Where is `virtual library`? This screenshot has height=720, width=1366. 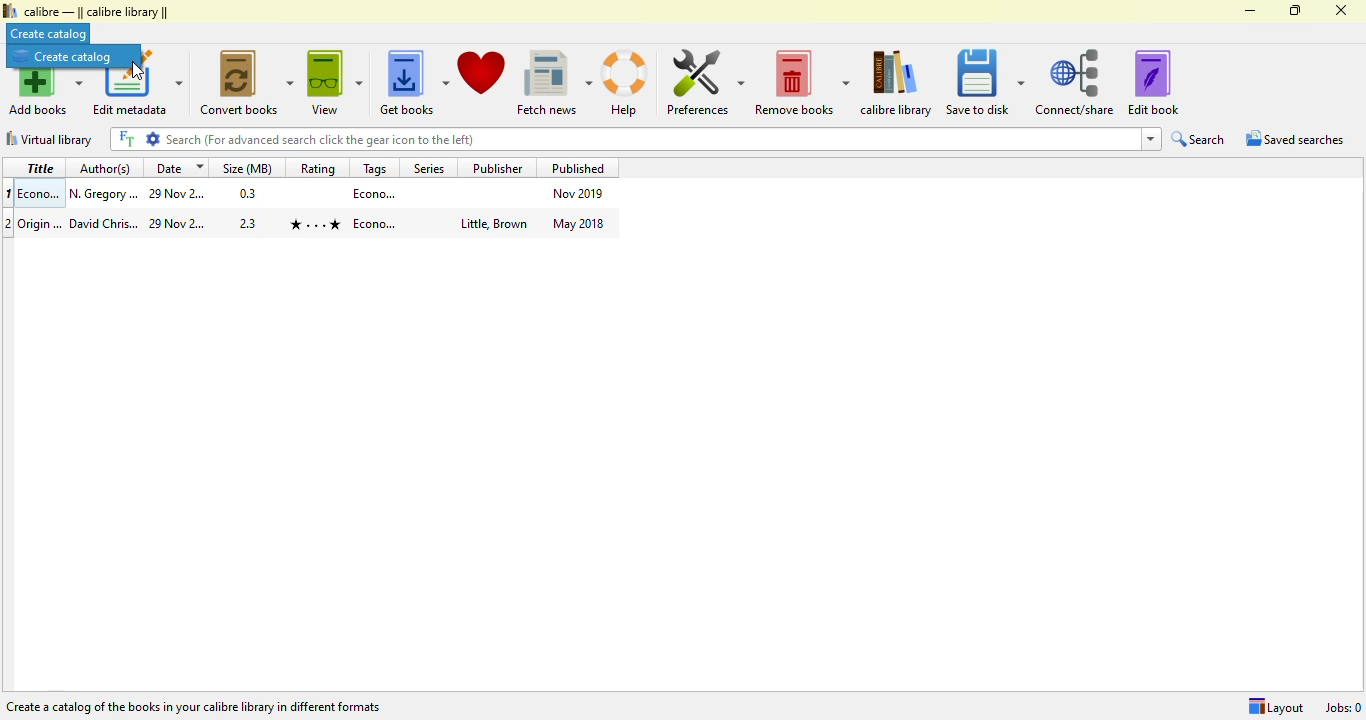
virtual library is located at coordinates (49, 138).